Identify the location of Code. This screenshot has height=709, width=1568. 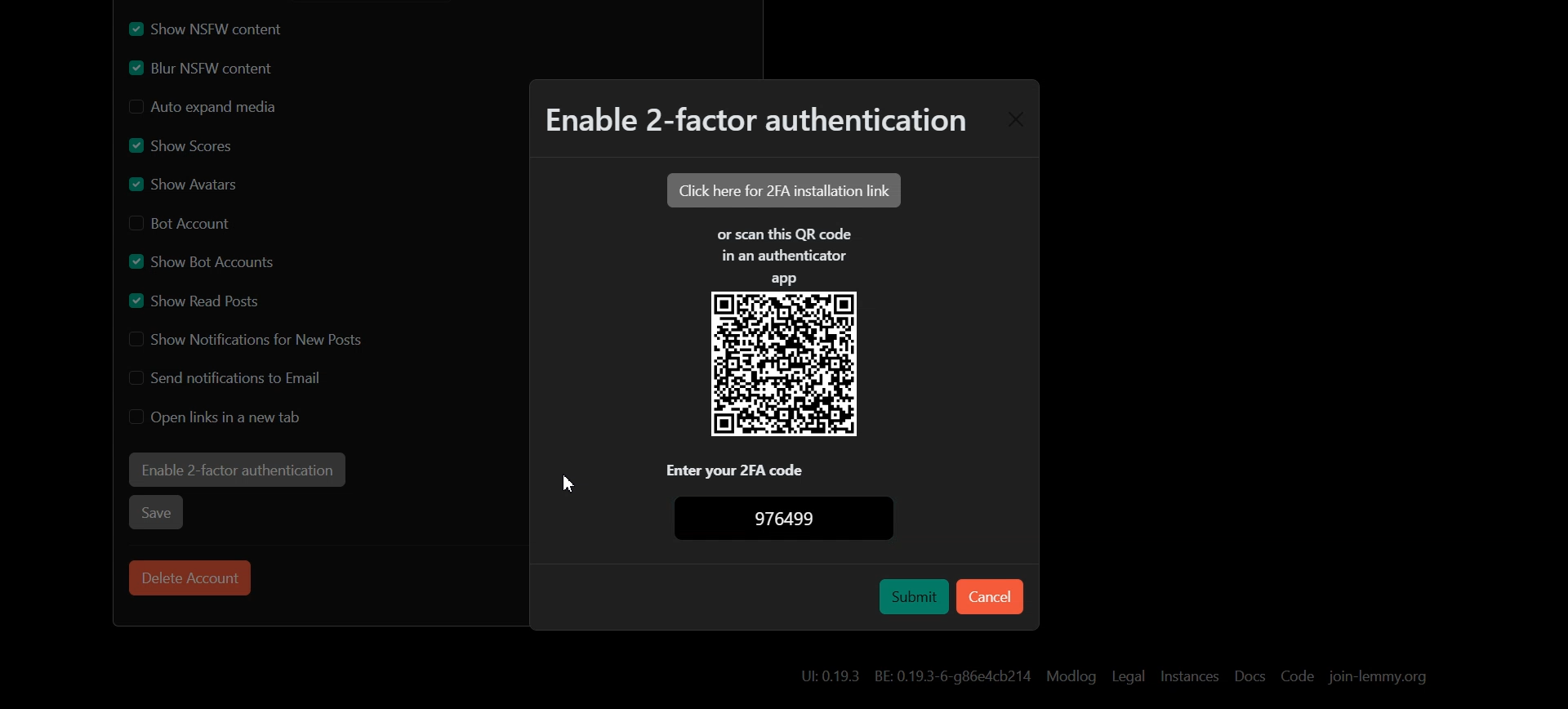
(1298, 676).